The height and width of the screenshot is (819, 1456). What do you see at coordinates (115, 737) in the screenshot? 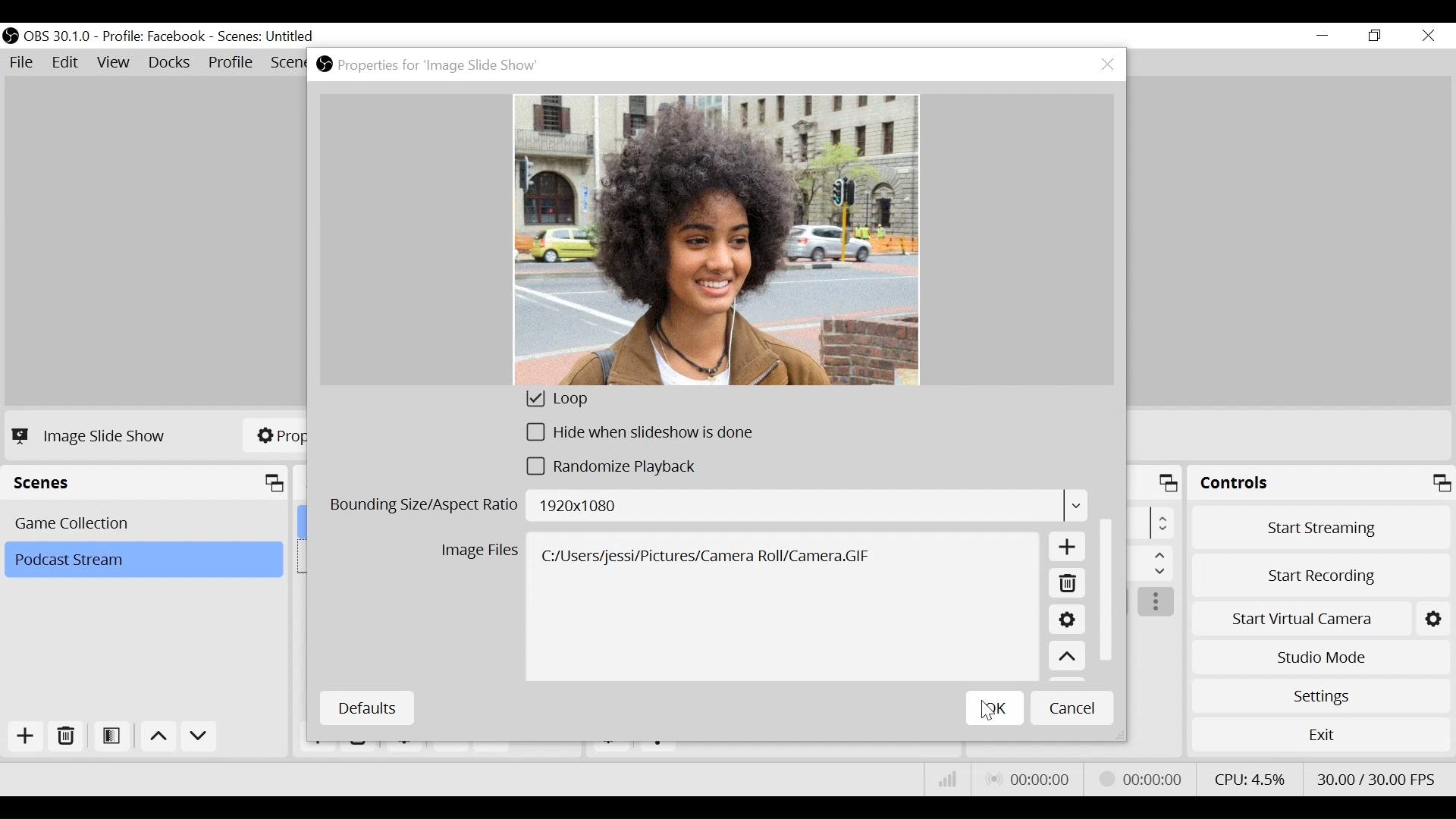
I see `Open Scene Filter` at bounding box center [115, 737].